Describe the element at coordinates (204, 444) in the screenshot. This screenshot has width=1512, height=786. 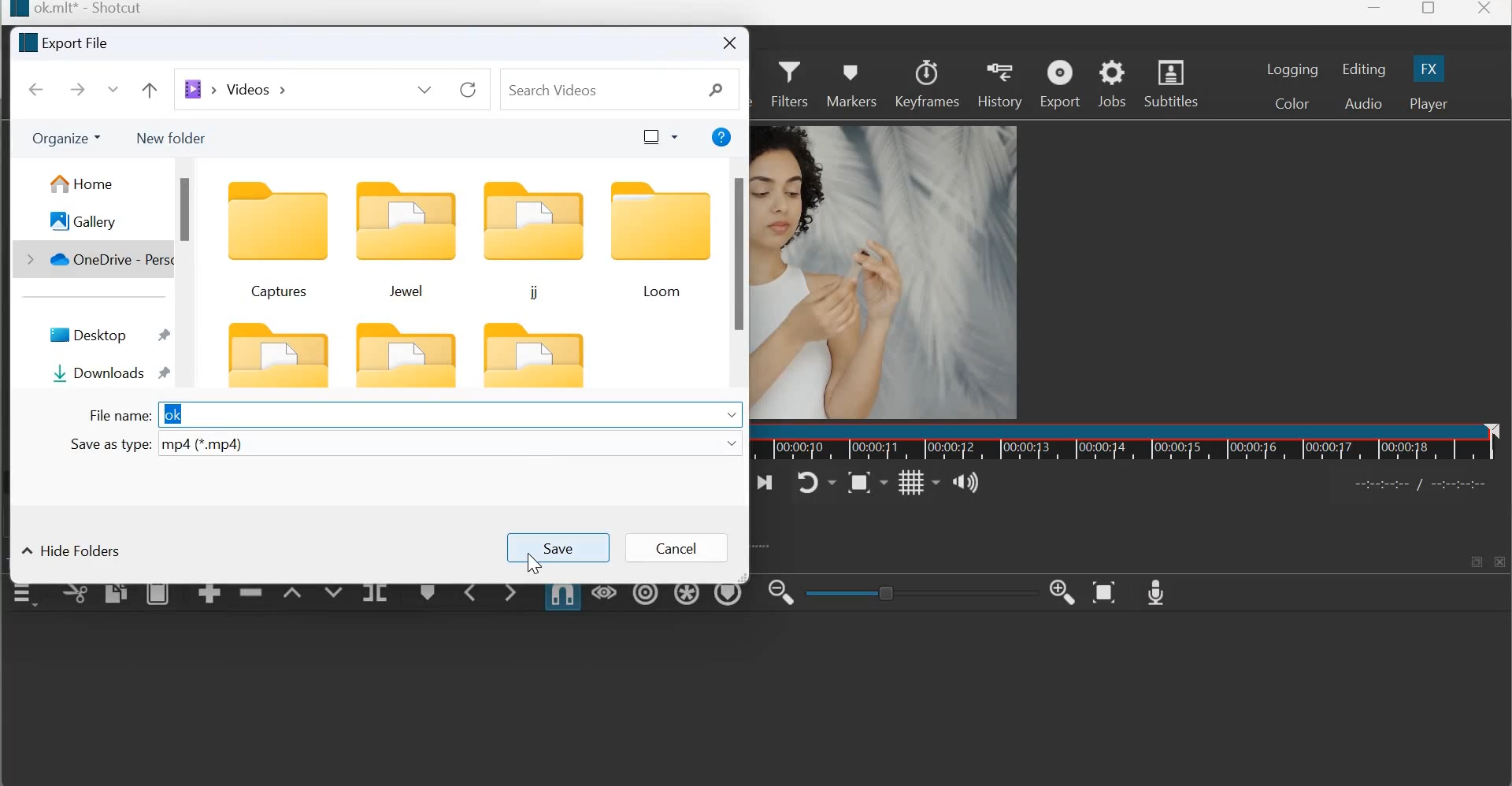
I see `mp4 (*.mp4)` at that location.